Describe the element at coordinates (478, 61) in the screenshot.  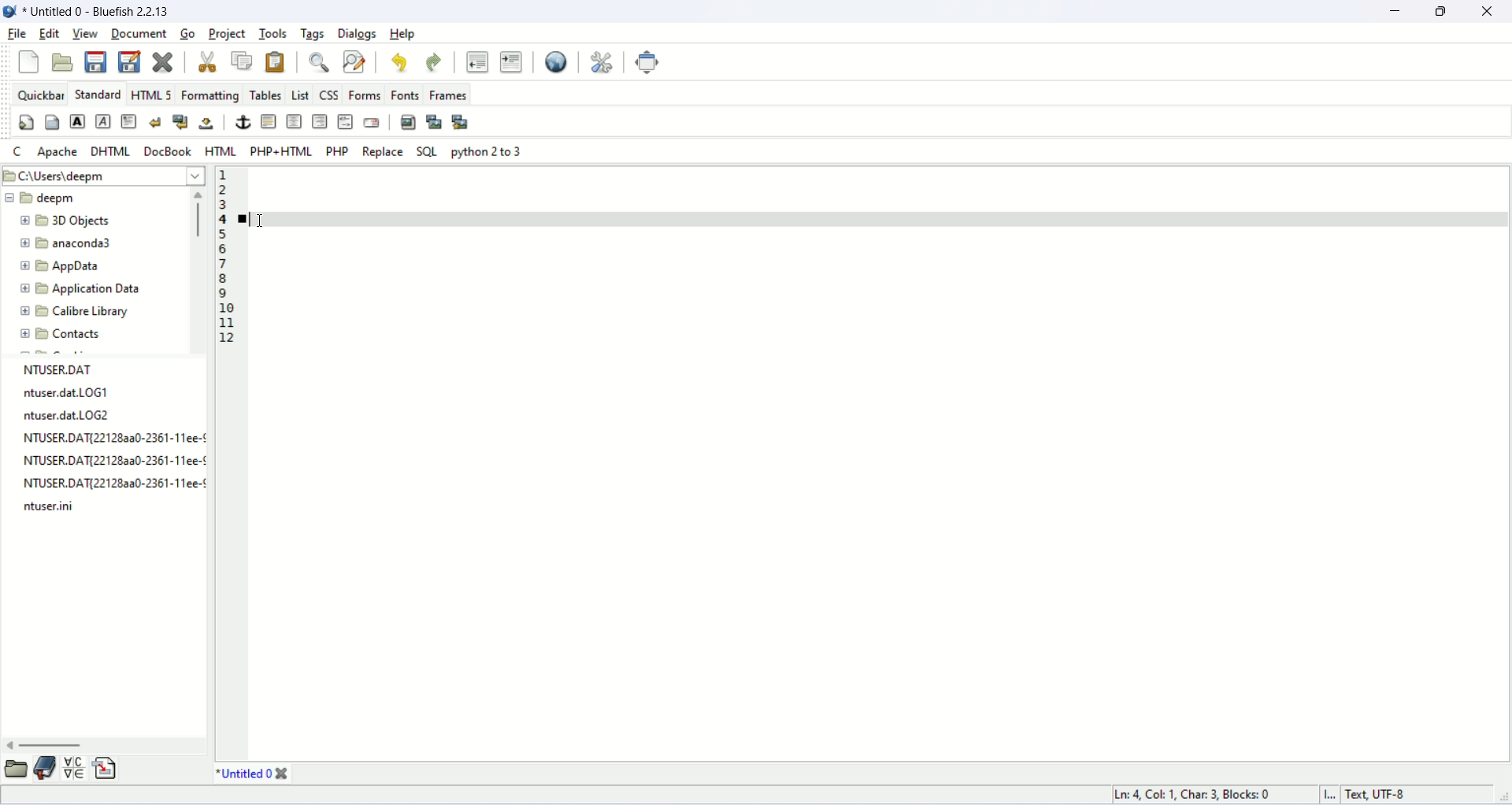
I see `unindent` at that location.